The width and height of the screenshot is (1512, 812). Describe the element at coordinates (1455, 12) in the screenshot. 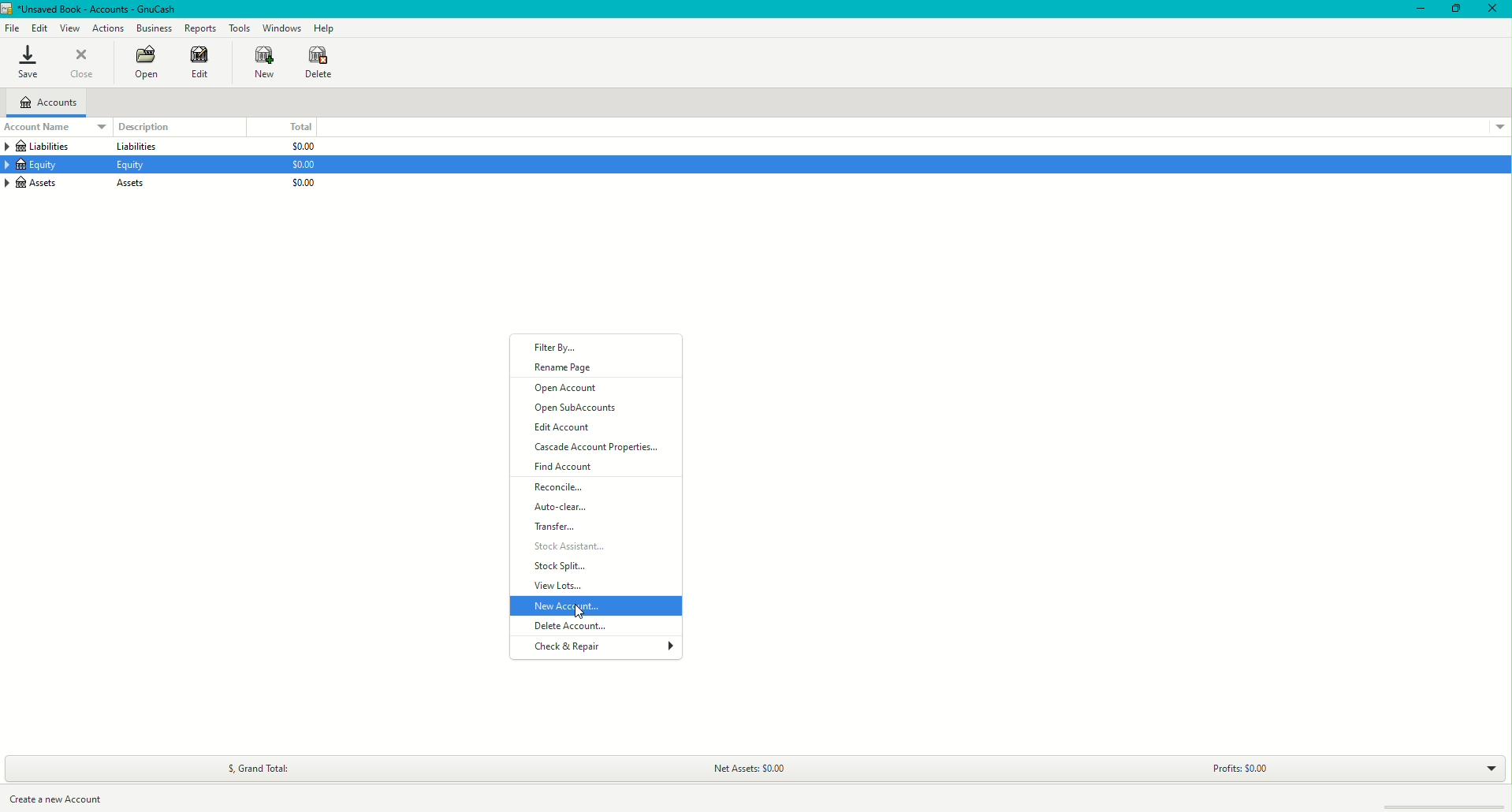

I see `Restore` at that location.